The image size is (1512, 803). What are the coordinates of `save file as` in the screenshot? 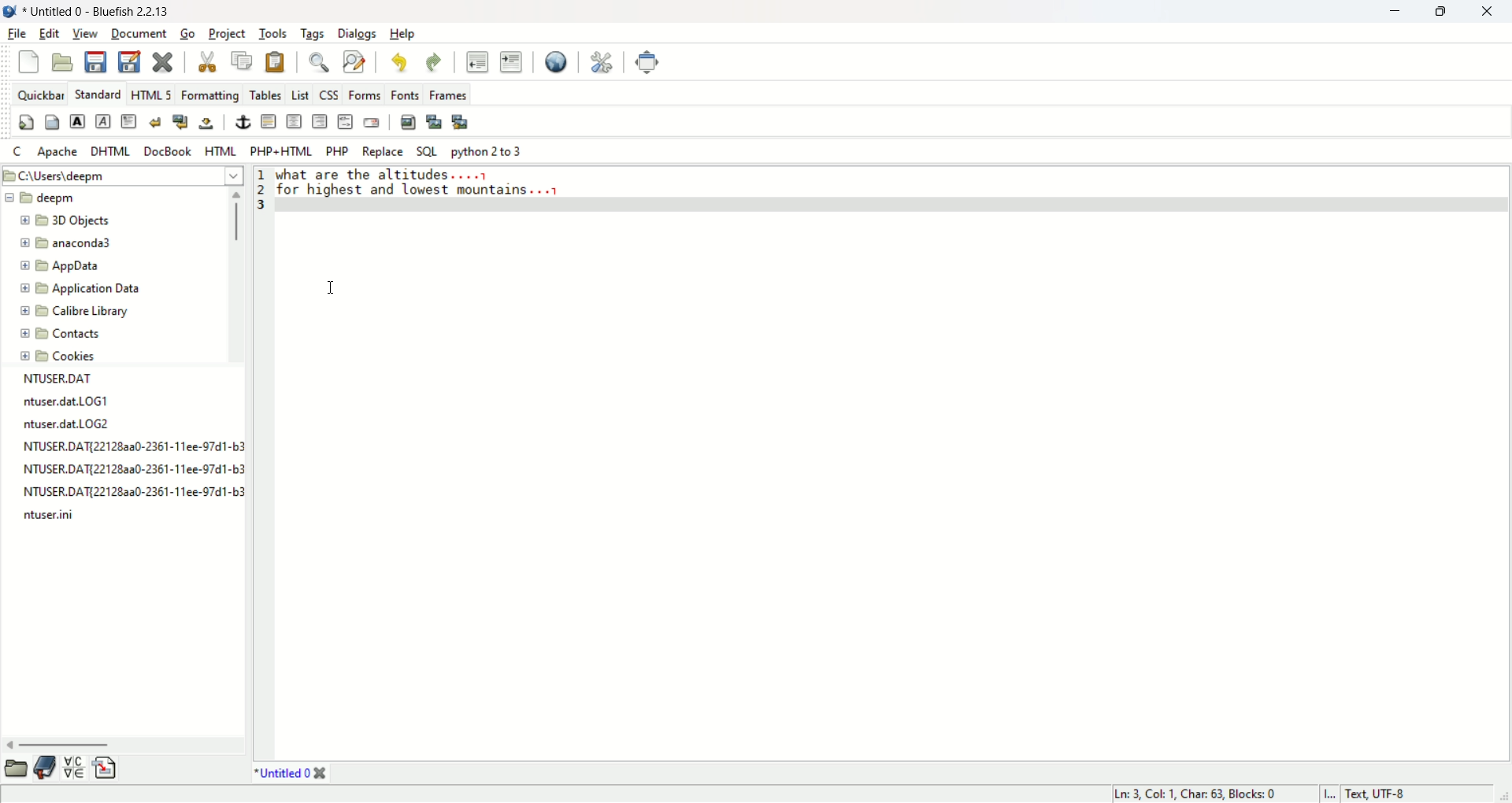 It's located at (128, 61).